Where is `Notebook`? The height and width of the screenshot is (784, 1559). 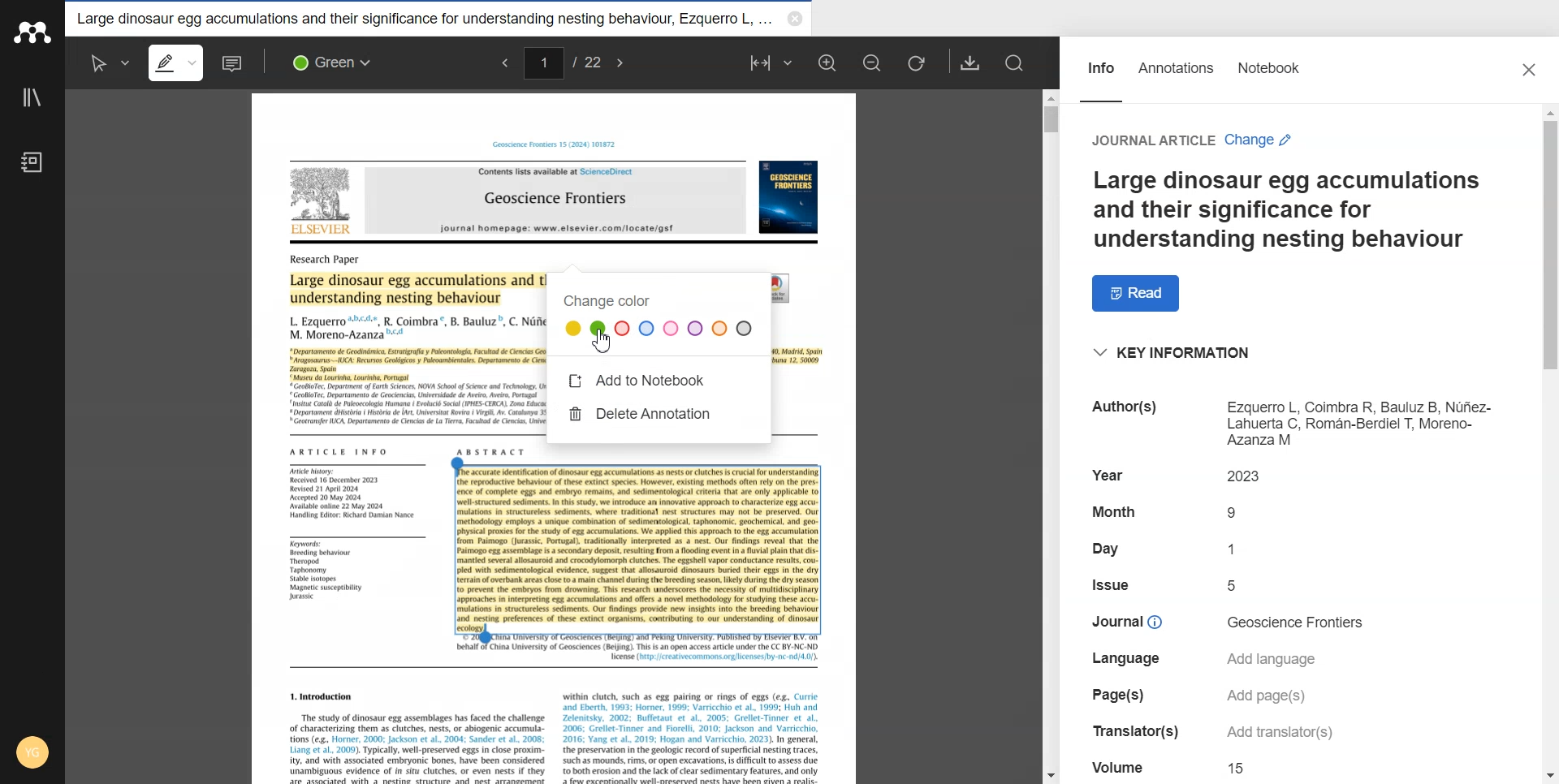
Notebook is located at coordinates (32, 162).